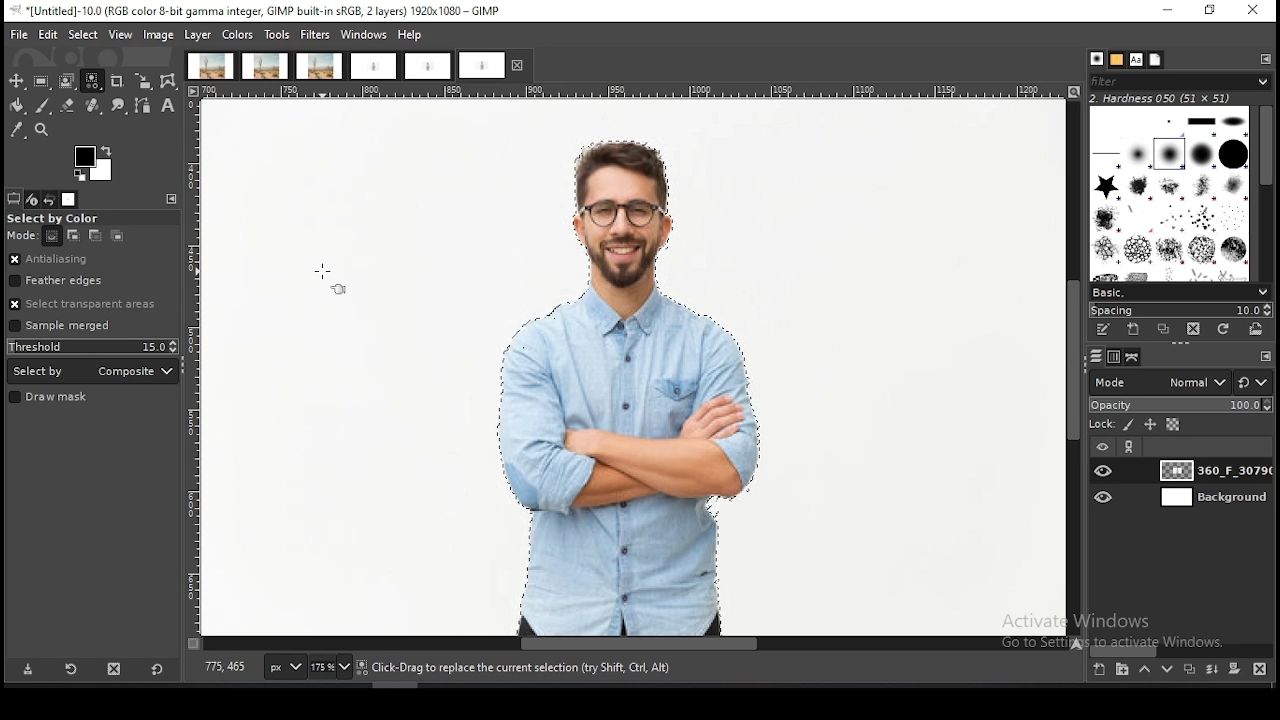  I want to click on lock position and size, so click(1149, 426).